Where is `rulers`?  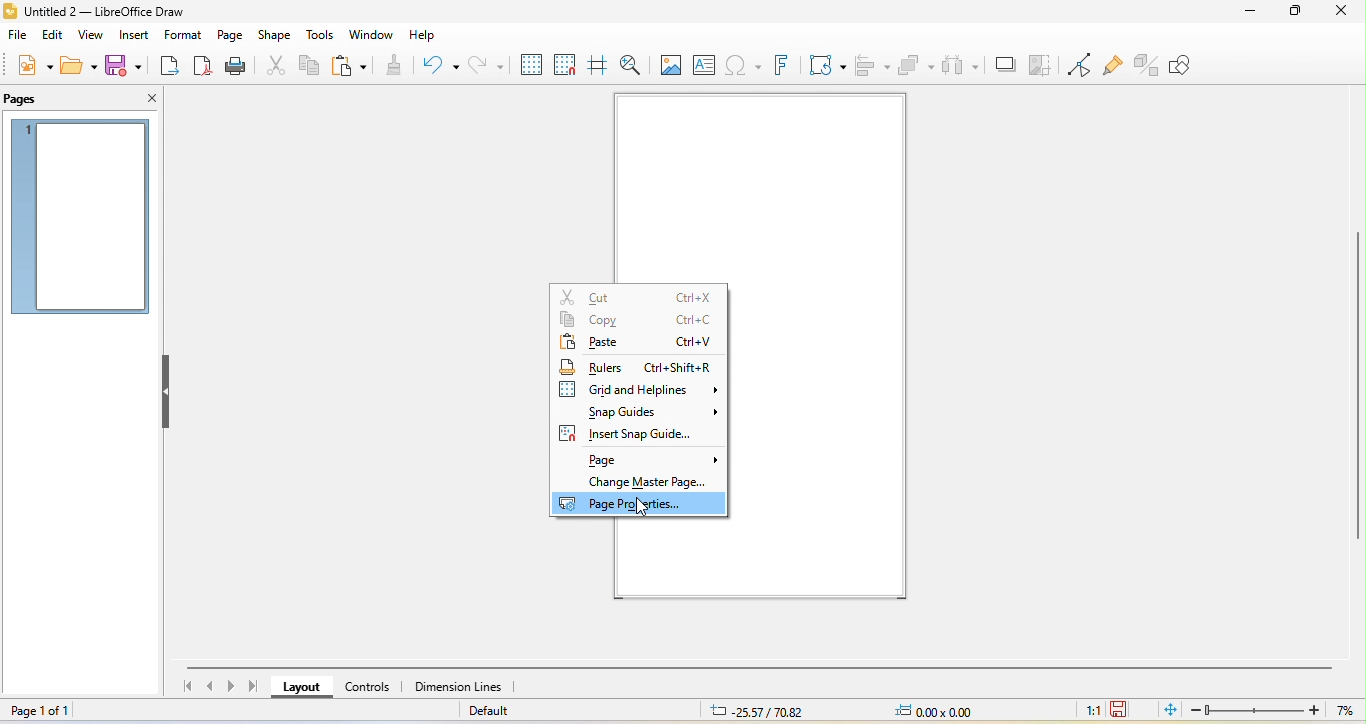 rulers is located at coordinates (642, 365).